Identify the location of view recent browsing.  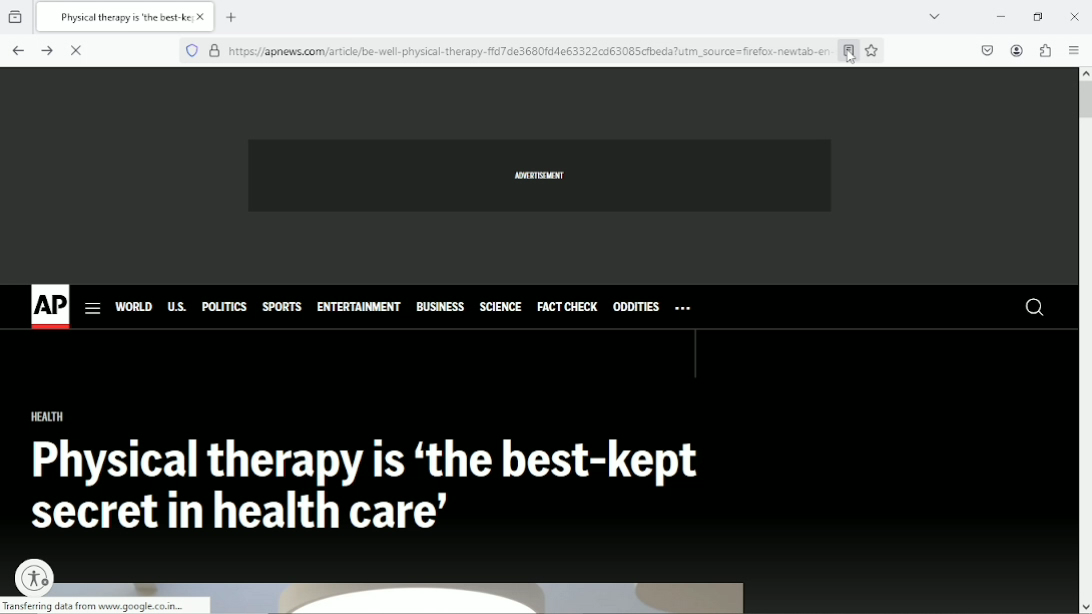
(17, 18).